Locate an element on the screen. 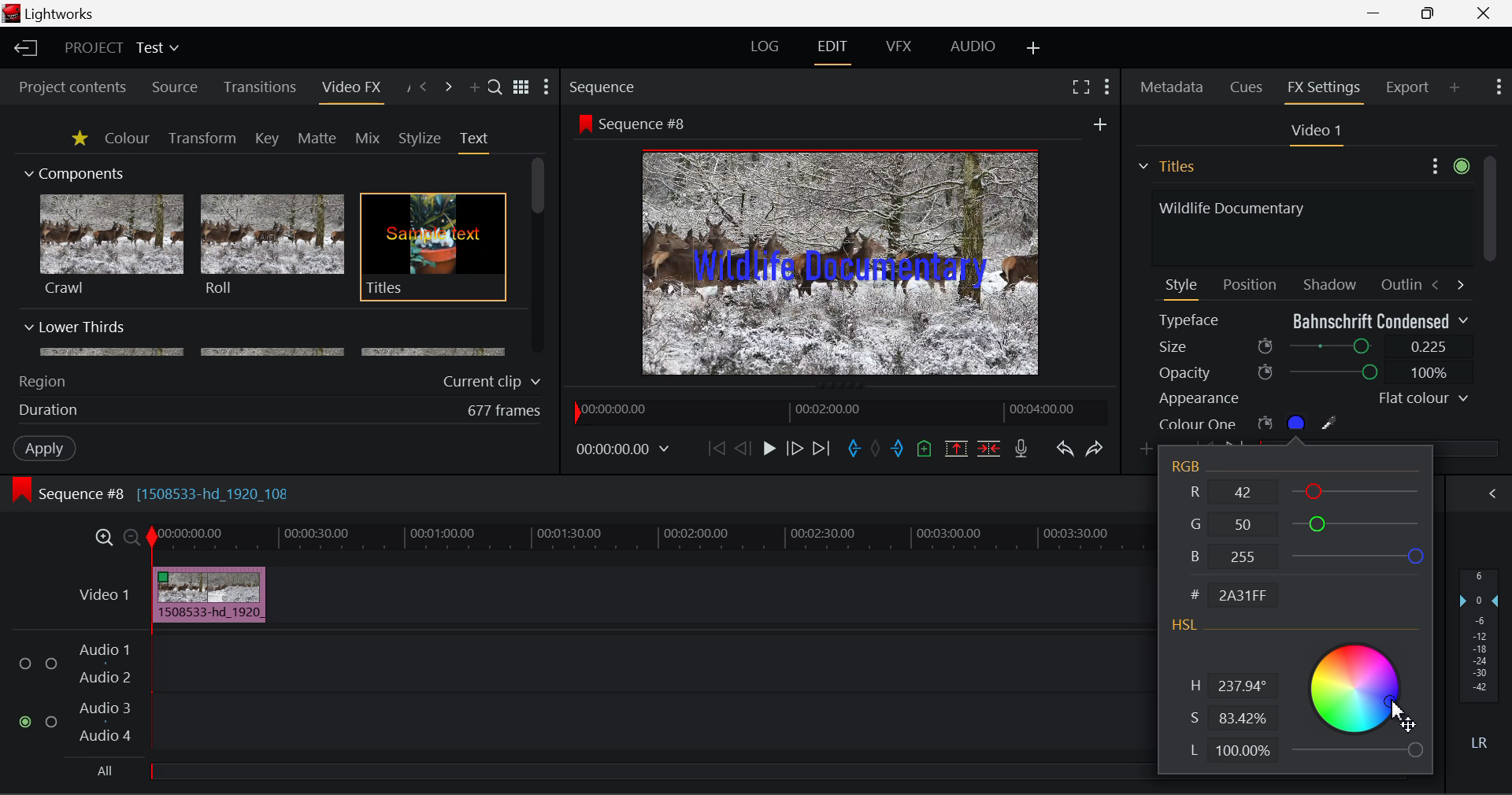  Audio 4 is located at coordinates (106, 734).